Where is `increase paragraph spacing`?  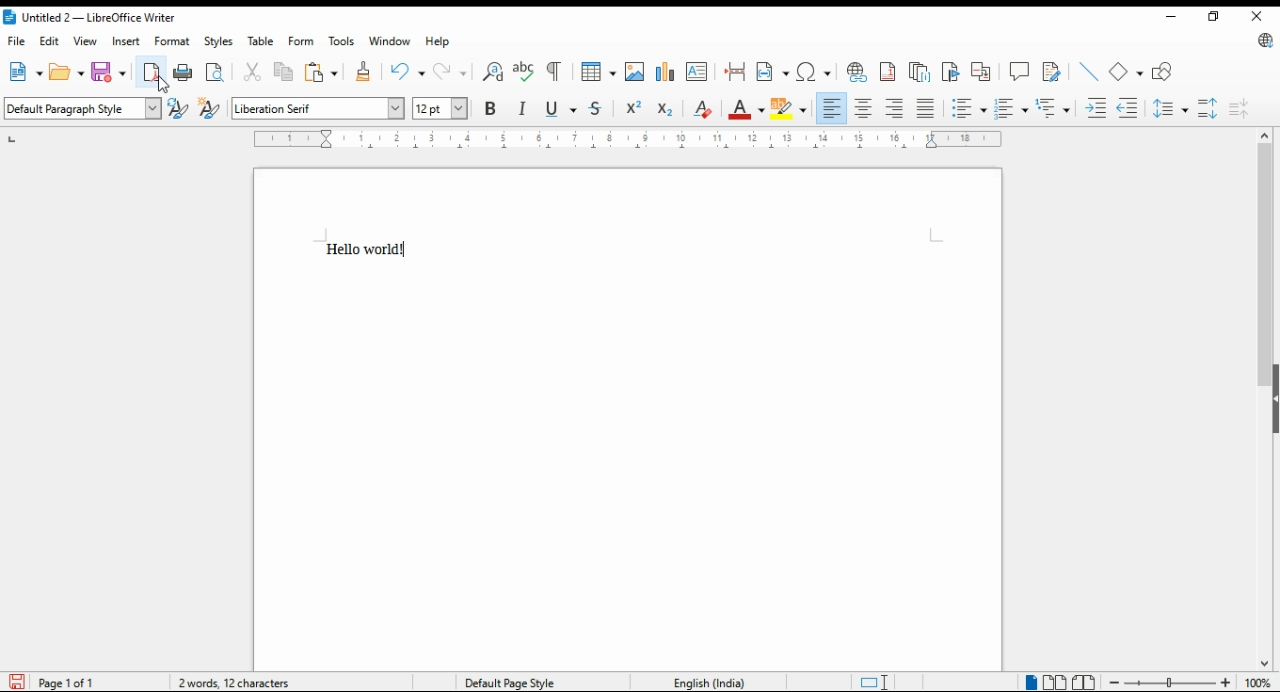
increase paragraph spacing is located at coordinates (1208, 106).